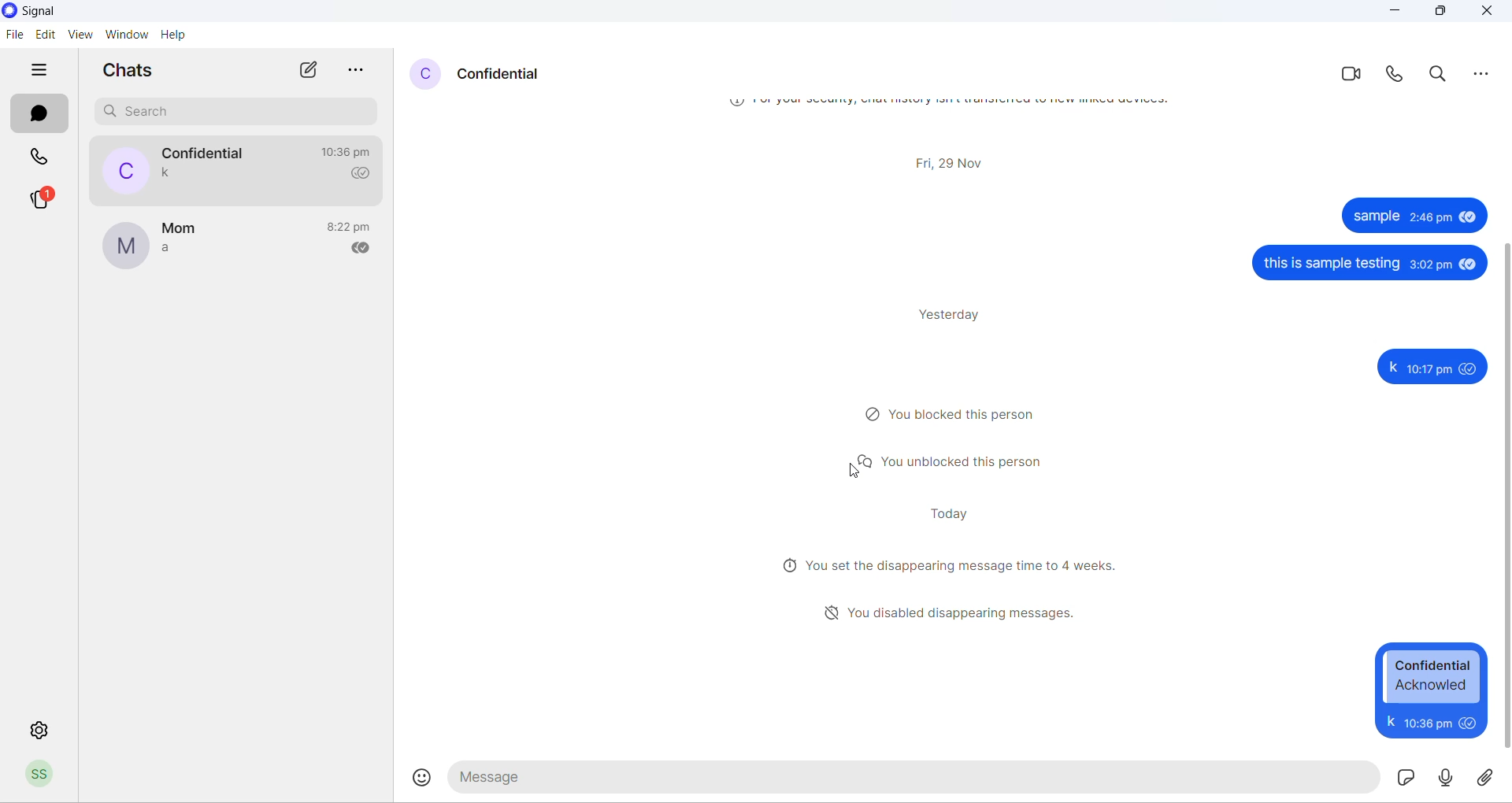 This screenshot has width=1512, height=803. Describe the element at coordinates (1484, 72) in the screenshot. I see `more options` at that location.